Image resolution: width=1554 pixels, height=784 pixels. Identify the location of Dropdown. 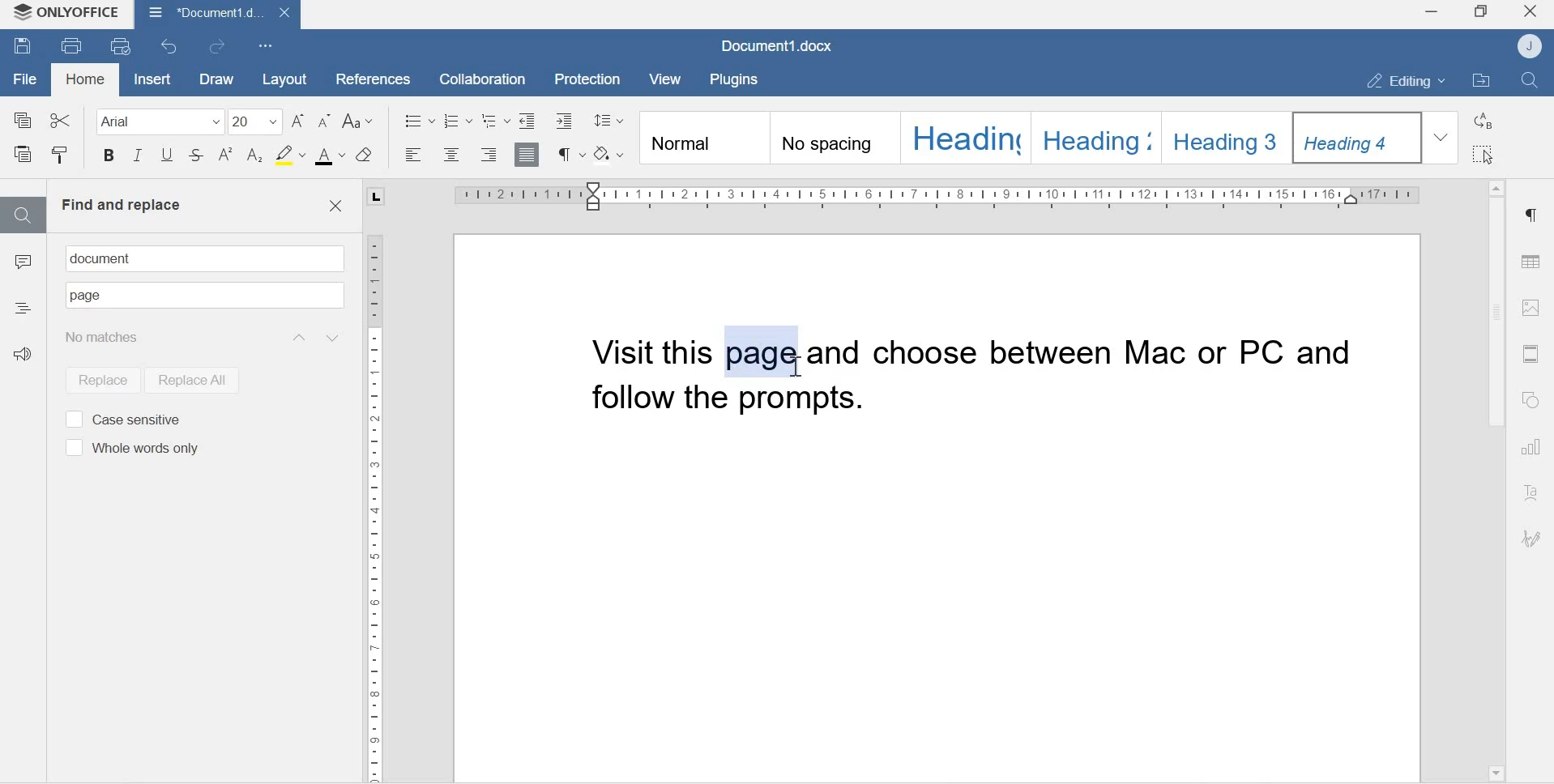
(1443, 137).